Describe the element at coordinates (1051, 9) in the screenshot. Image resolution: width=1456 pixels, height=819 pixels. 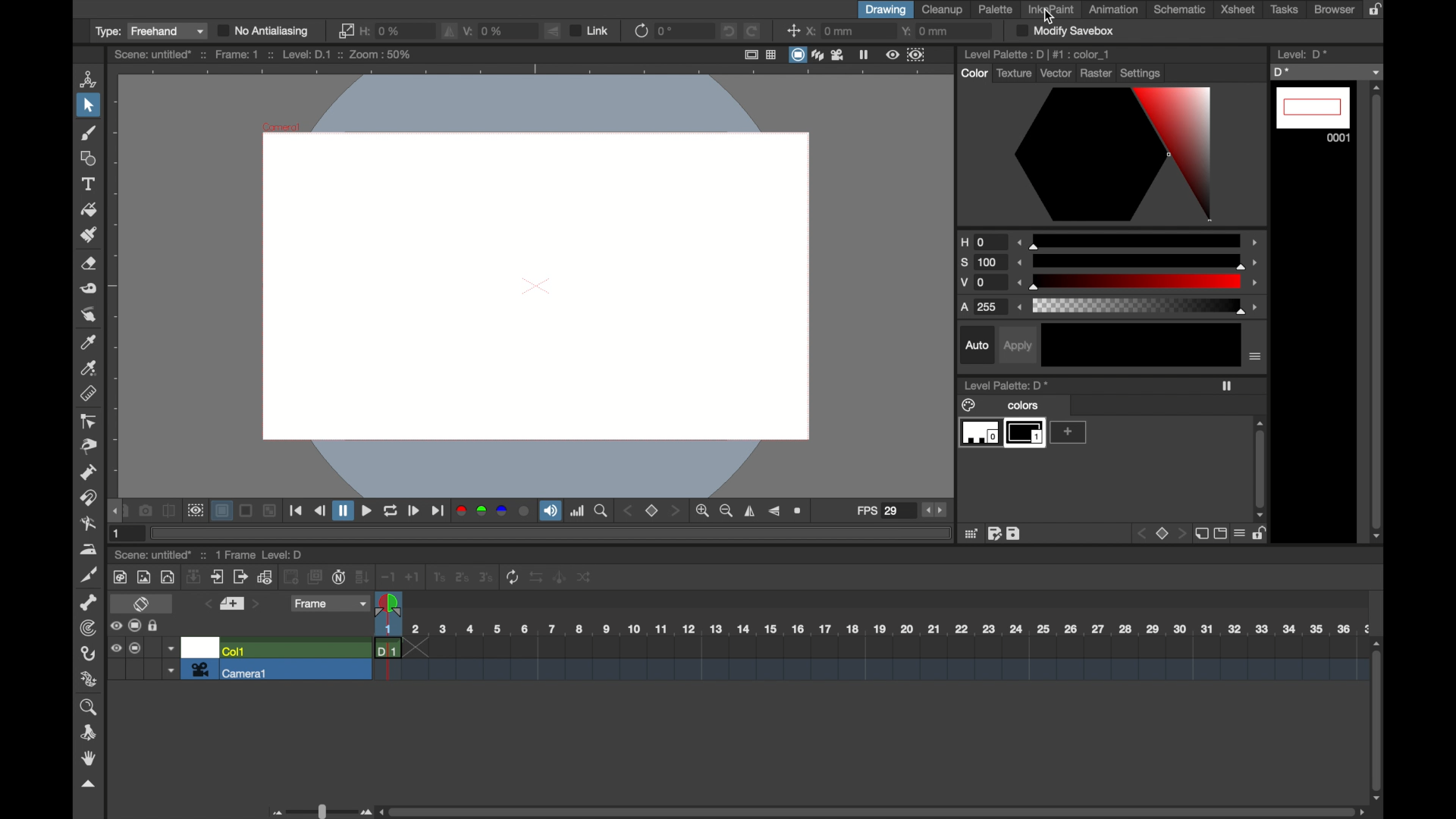
I see `inknpaint` at that location.